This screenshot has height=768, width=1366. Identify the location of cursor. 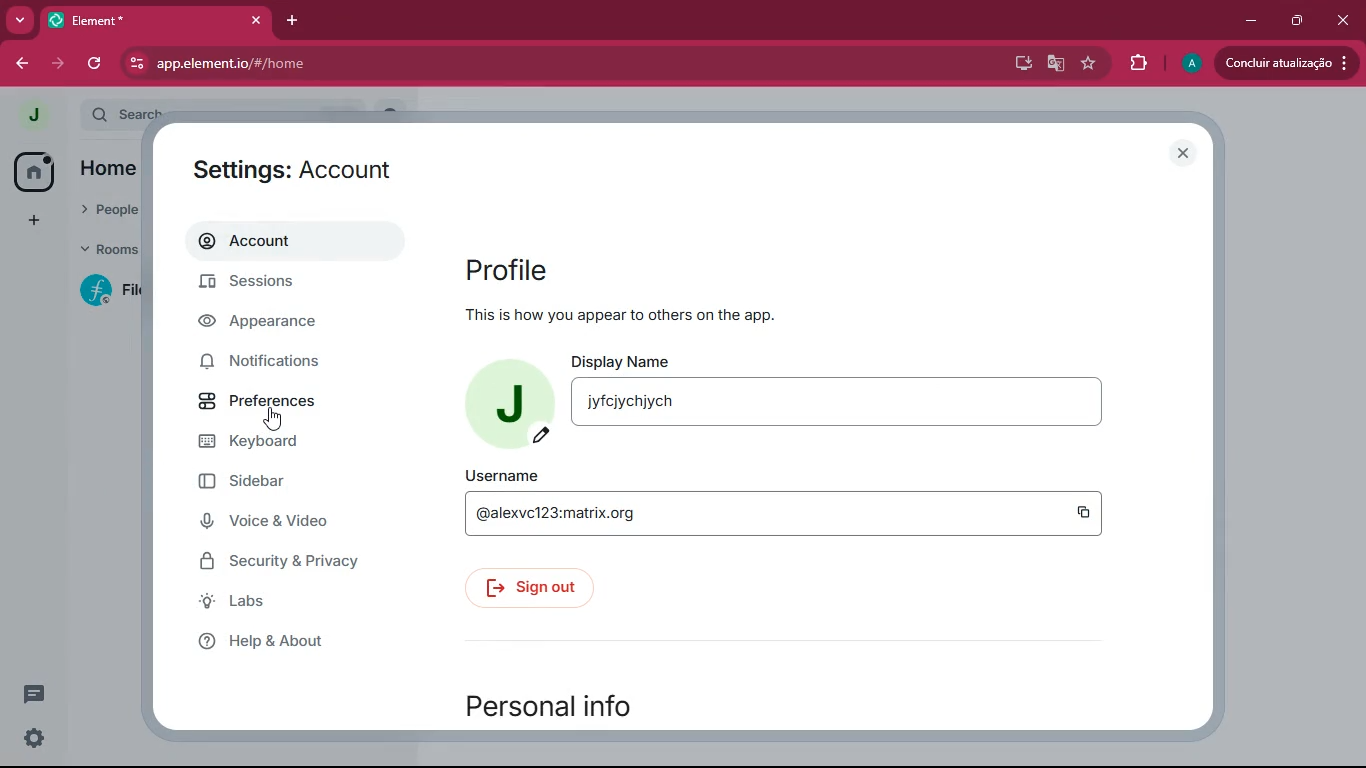
(273, 421).